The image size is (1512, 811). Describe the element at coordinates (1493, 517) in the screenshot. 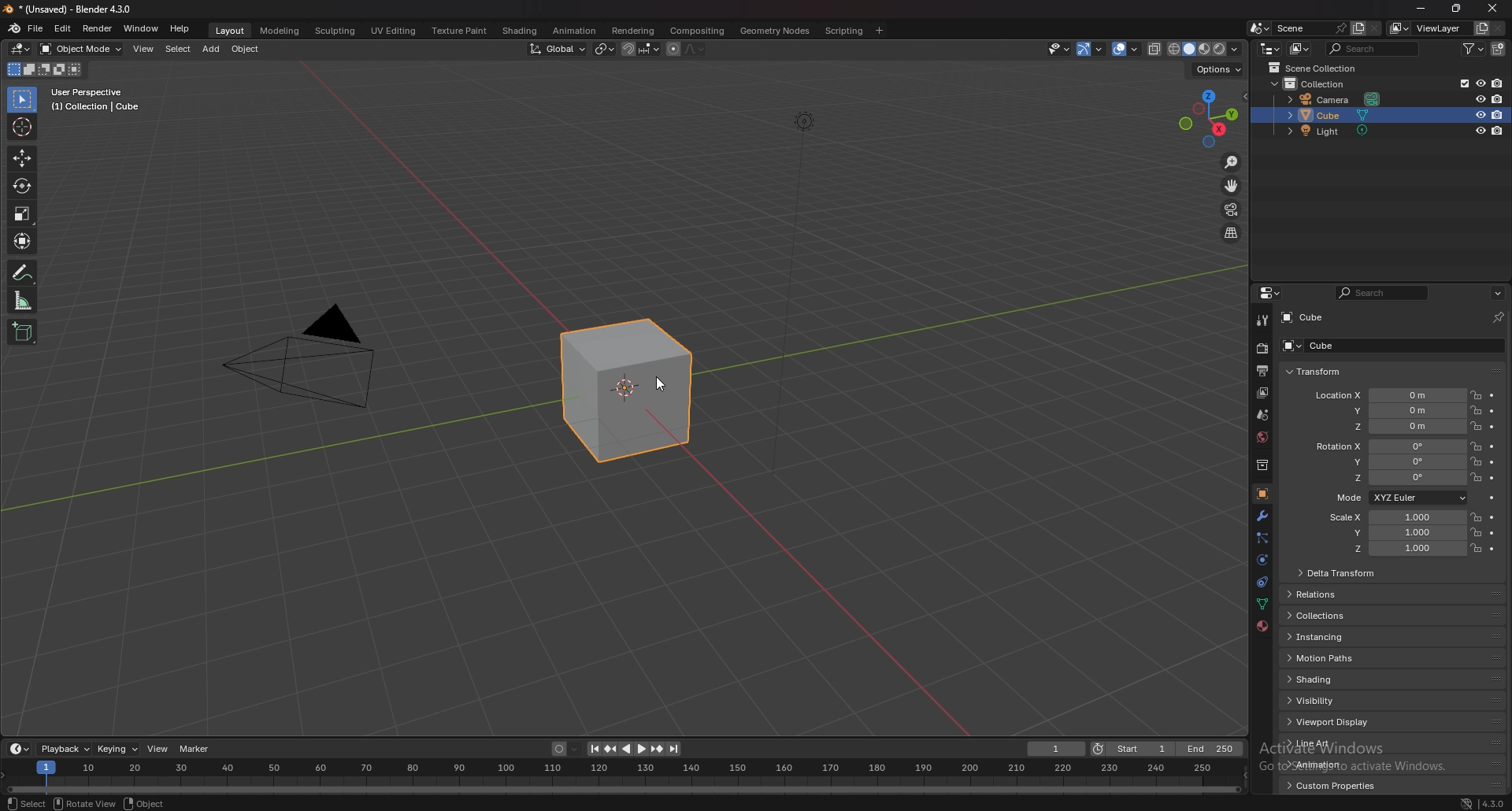

I see `animate property` at that location.